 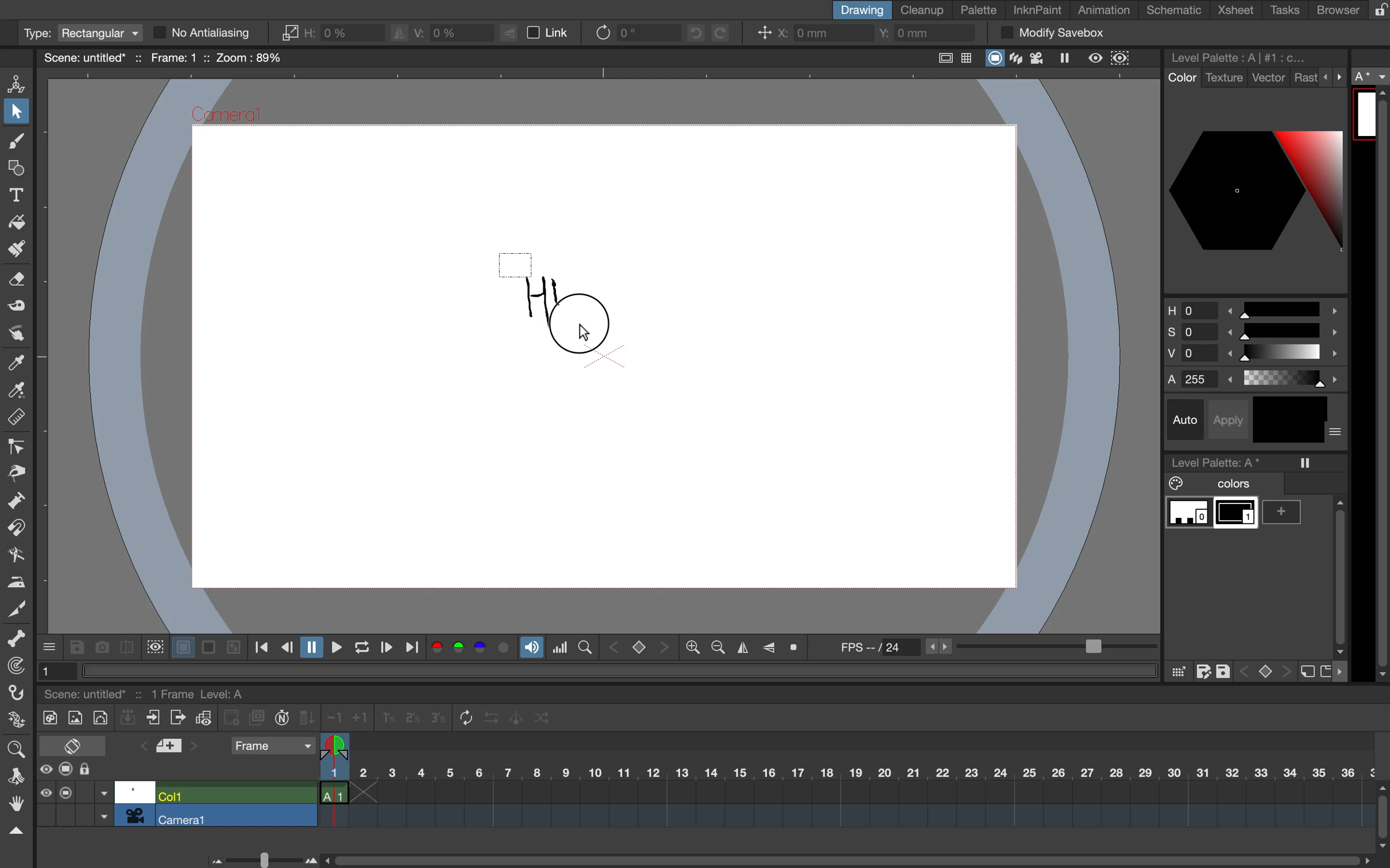 I want to click on inknpaint, so click(x=1037, y=9).